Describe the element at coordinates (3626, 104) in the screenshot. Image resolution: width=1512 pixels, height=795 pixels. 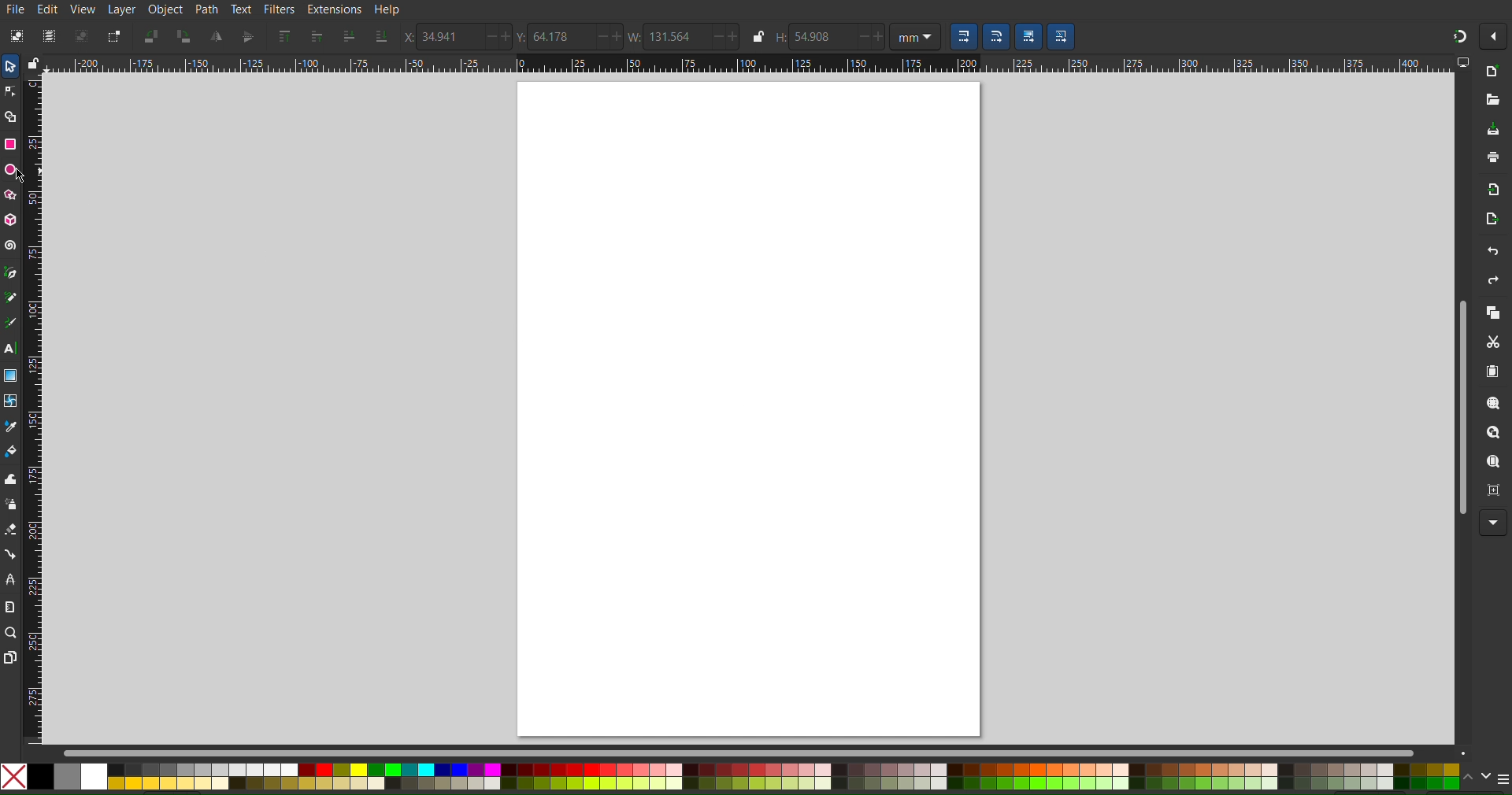
I see `` at that location.